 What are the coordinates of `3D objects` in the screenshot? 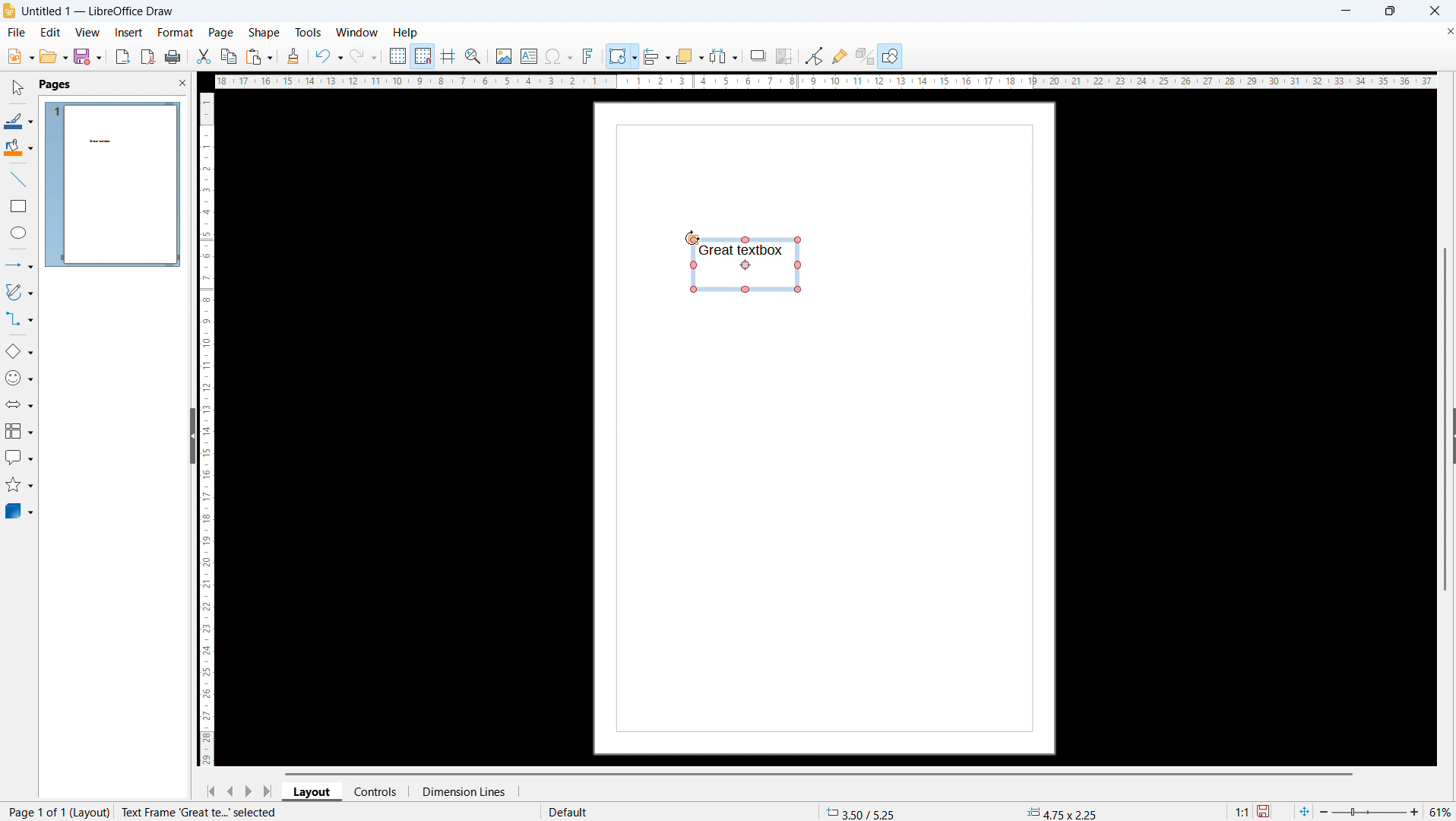 It's located at (20, 512).